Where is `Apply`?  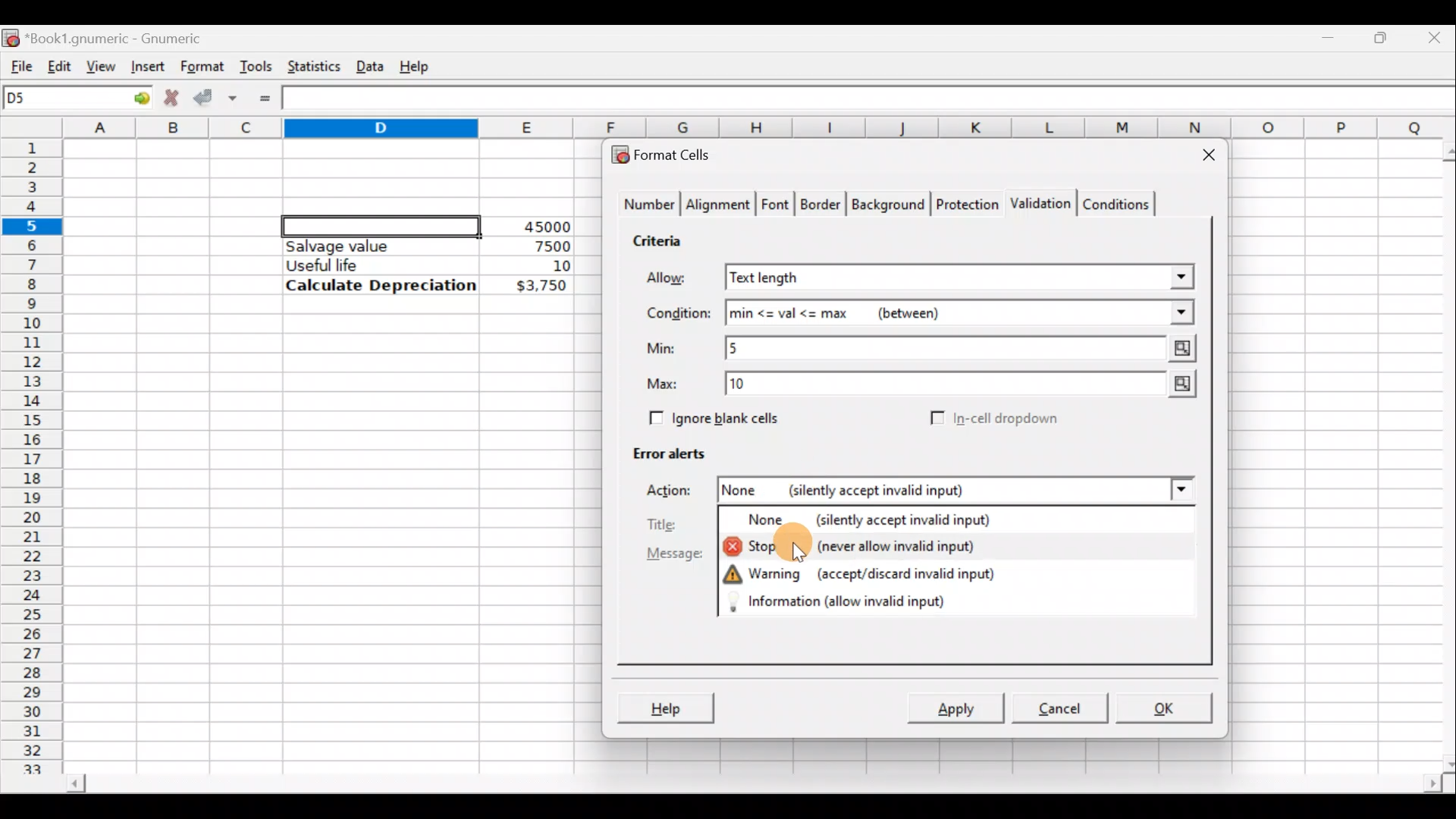
Apply is located at coordinates (962, 707).